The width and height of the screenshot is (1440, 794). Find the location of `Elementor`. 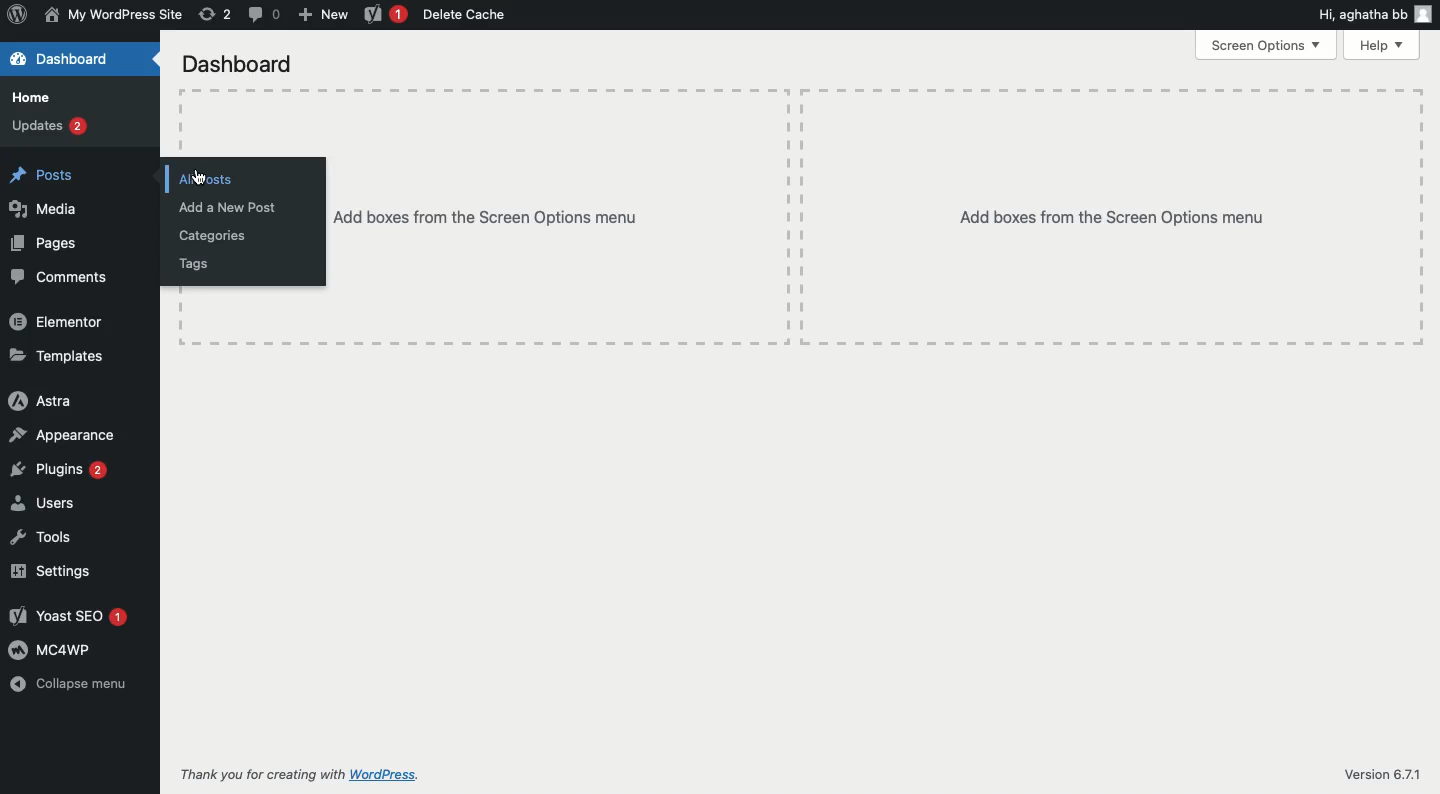

Elementor is located at coordinates (59, 322).